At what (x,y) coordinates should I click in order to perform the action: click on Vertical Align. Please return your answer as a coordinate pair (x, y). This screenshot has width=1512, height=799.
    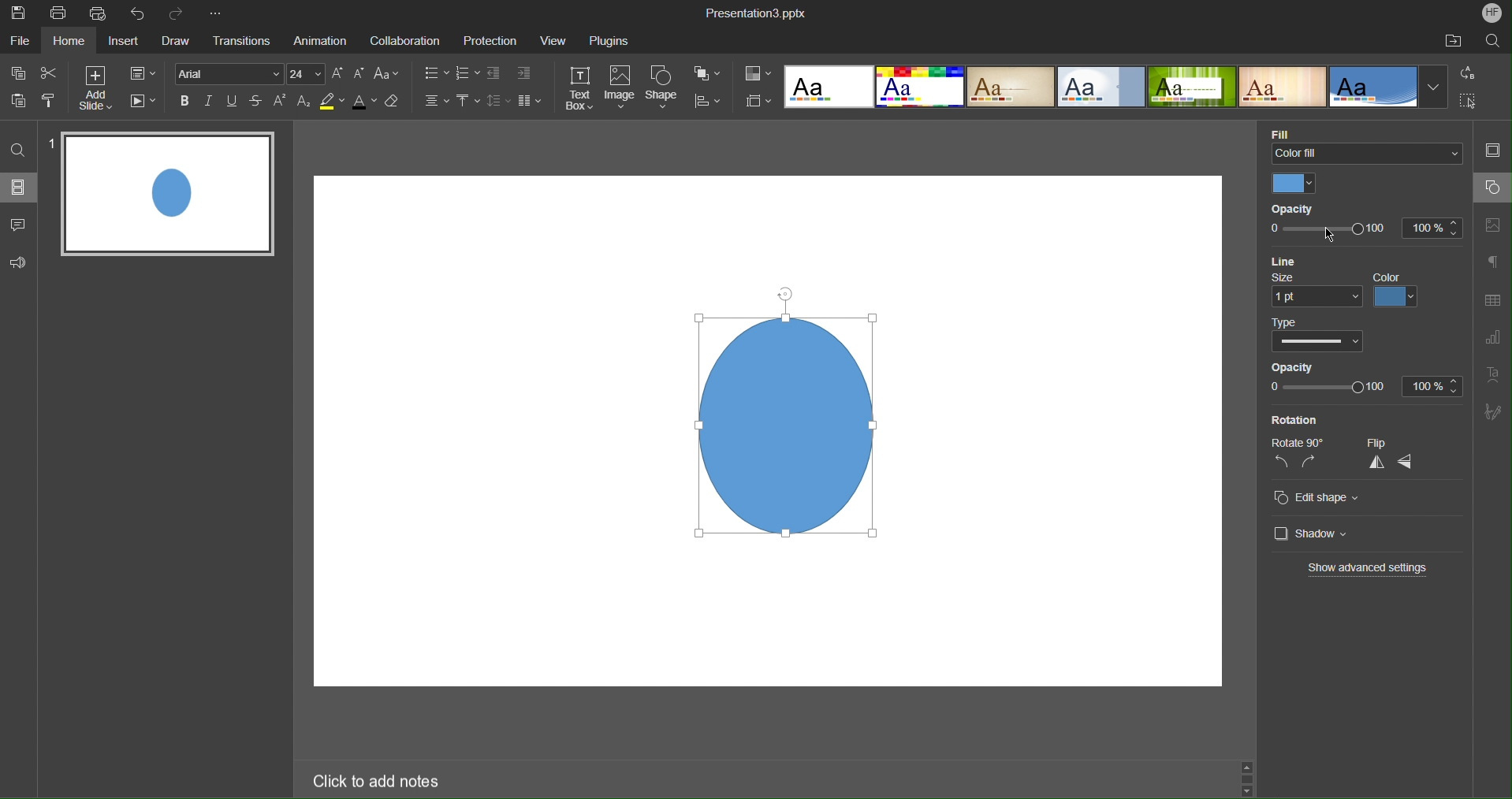
    Looking at the image, I should click on (467, 102).